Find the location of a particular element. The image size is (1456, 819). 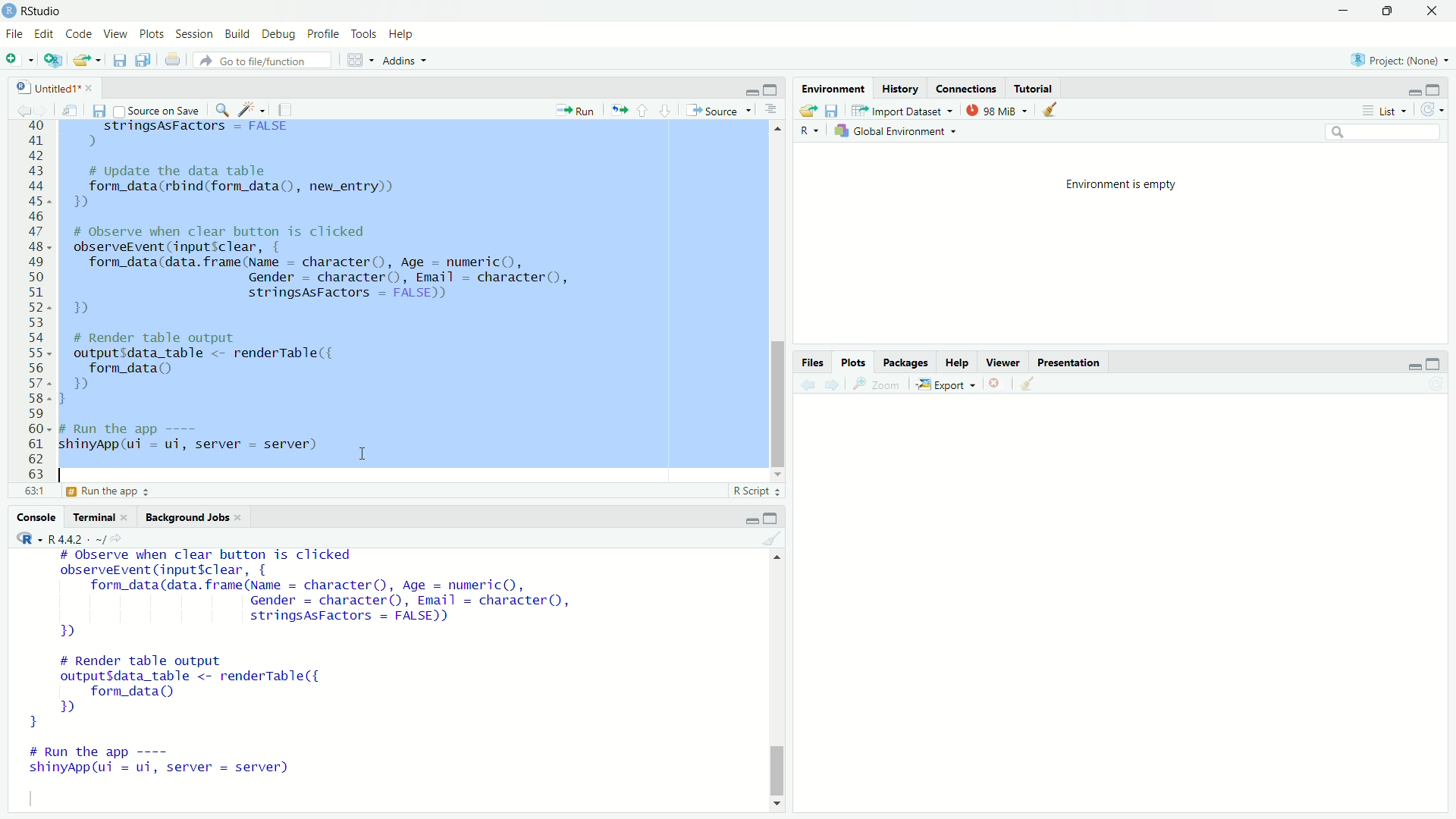

presentation is located at coordinates (1069, 362).